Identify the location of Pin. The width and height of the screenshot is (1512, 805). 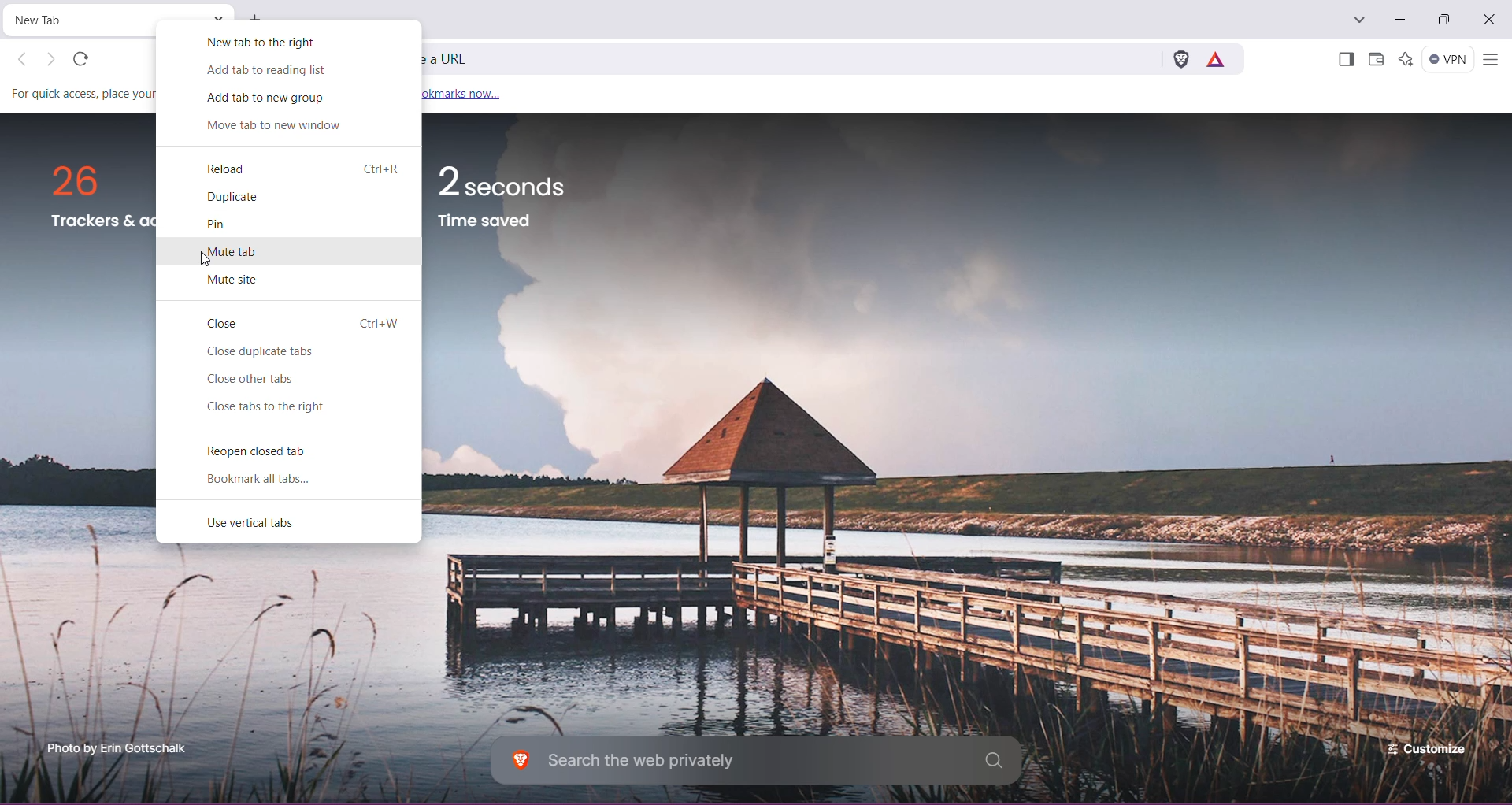
(223, 224).